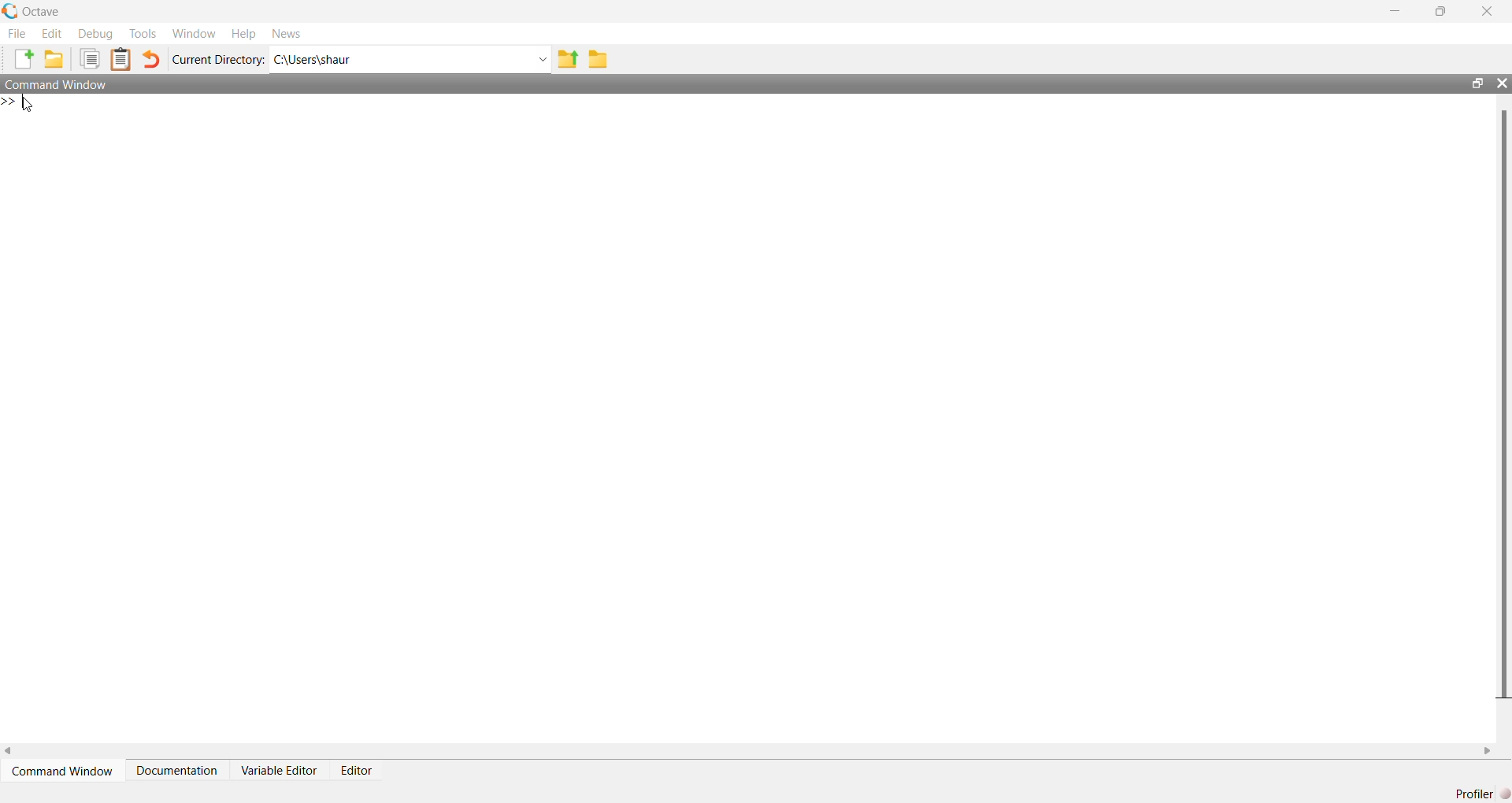 The width and height of the screenshot is (1512, 803). Describe the element at coordinates (151, 59) in the screenshot. I see `undo` at that location.